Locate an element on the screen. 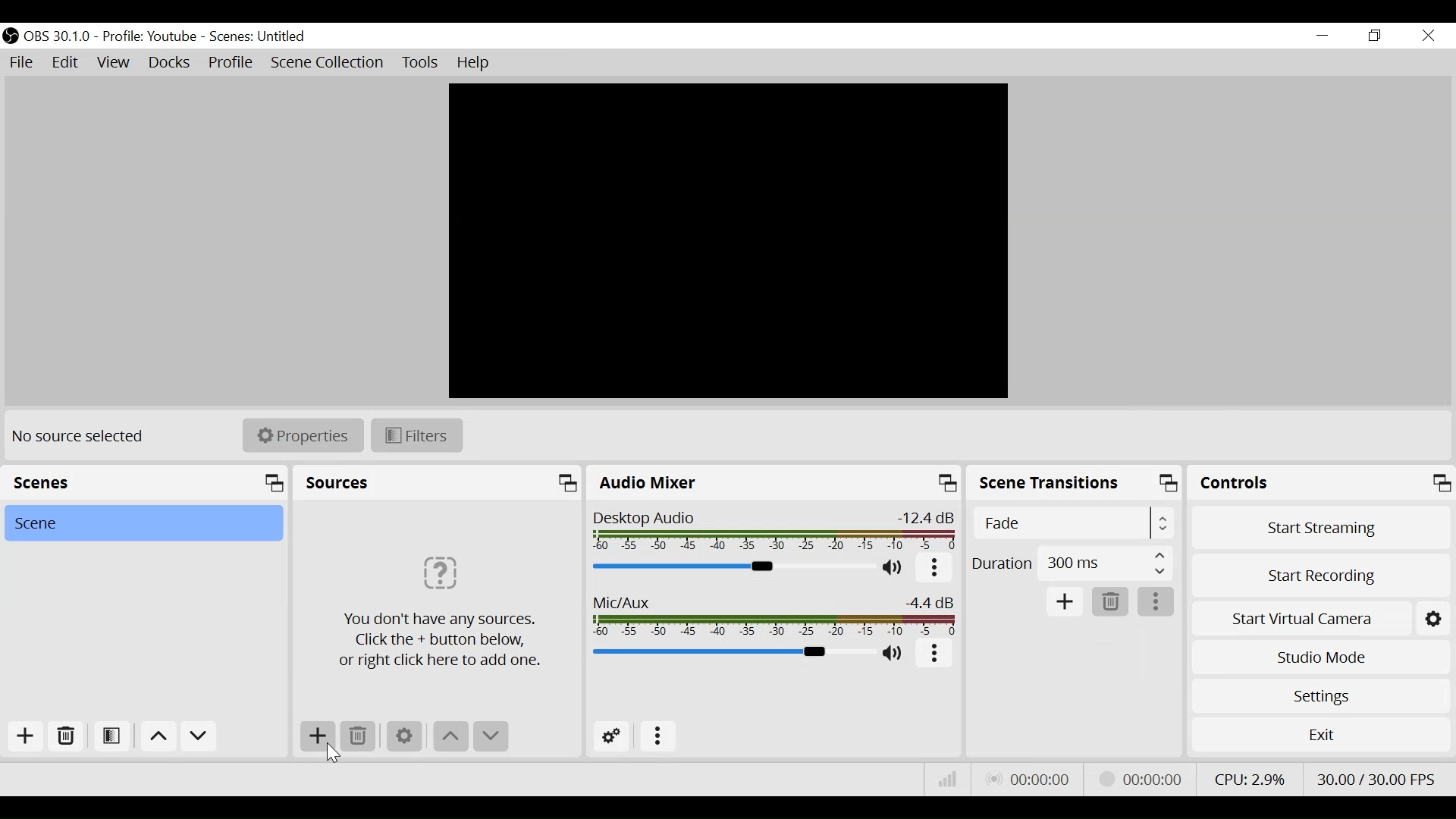  Delete is located at coordinates (67, 736).